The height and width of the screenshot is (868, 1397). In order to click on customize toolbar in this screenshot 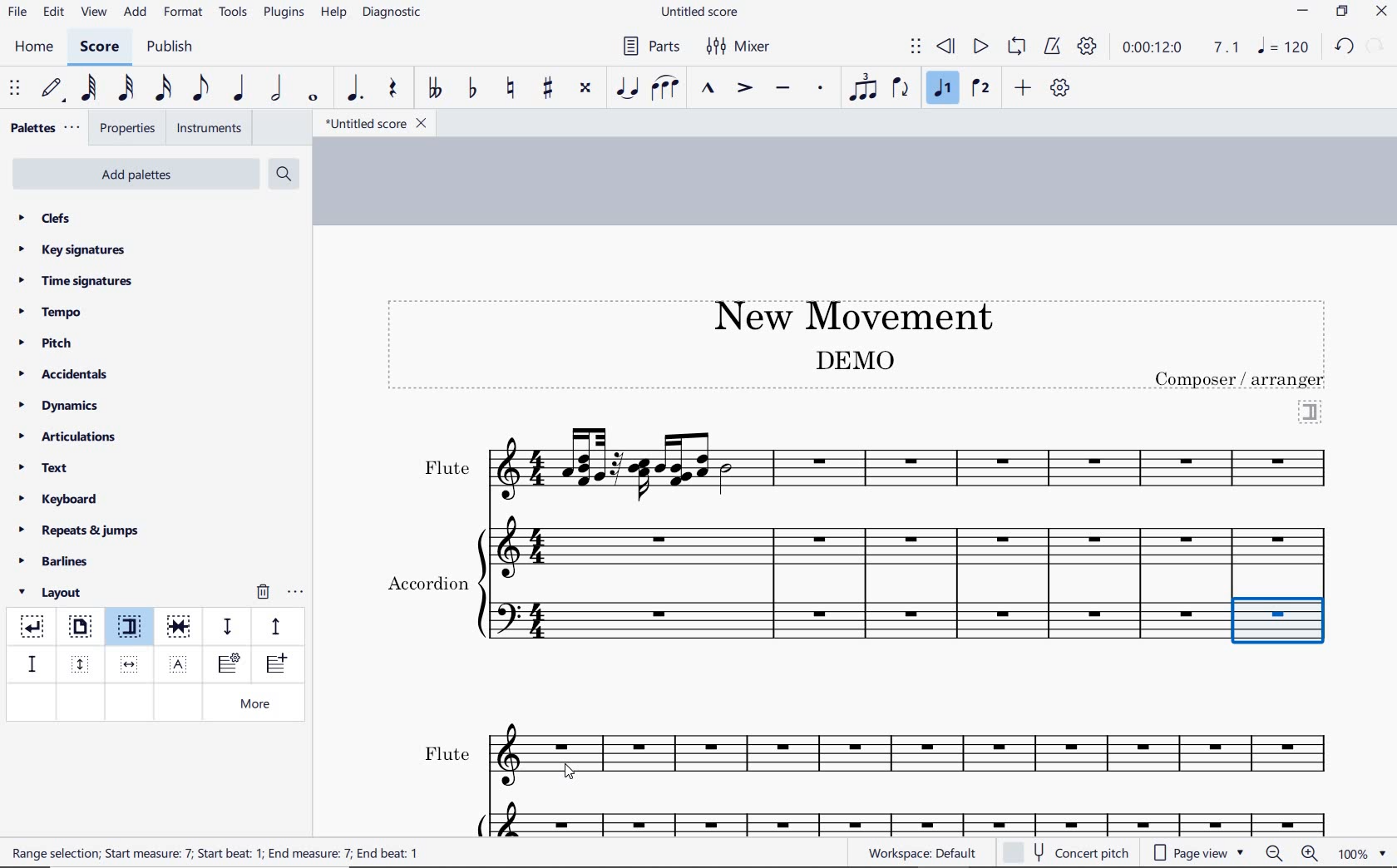, I will do `click(1061, 89)`.